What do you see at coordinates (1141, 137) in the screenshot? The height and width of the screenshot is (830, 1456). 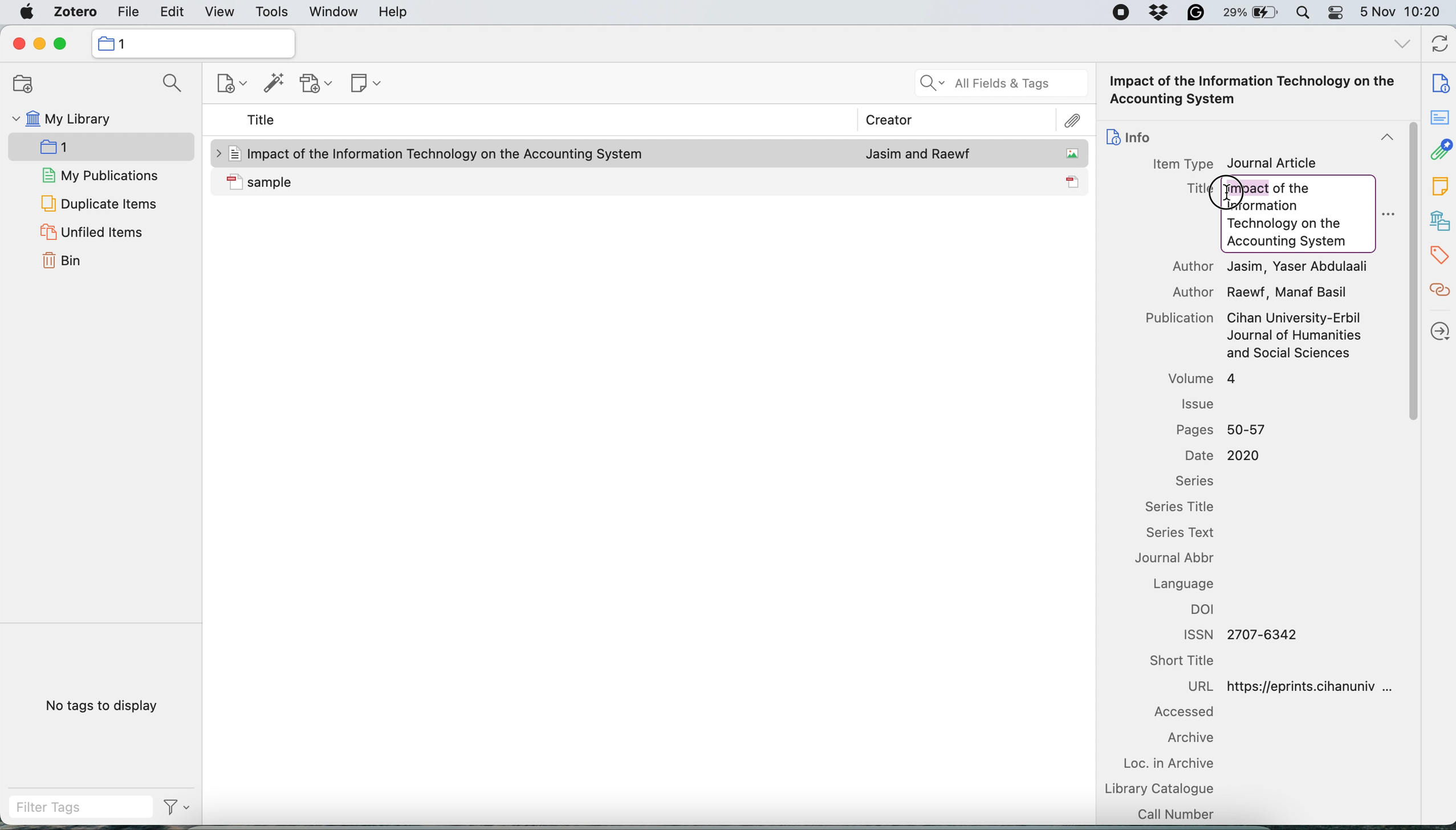 I see `info` at bounding box center [1141, 137].